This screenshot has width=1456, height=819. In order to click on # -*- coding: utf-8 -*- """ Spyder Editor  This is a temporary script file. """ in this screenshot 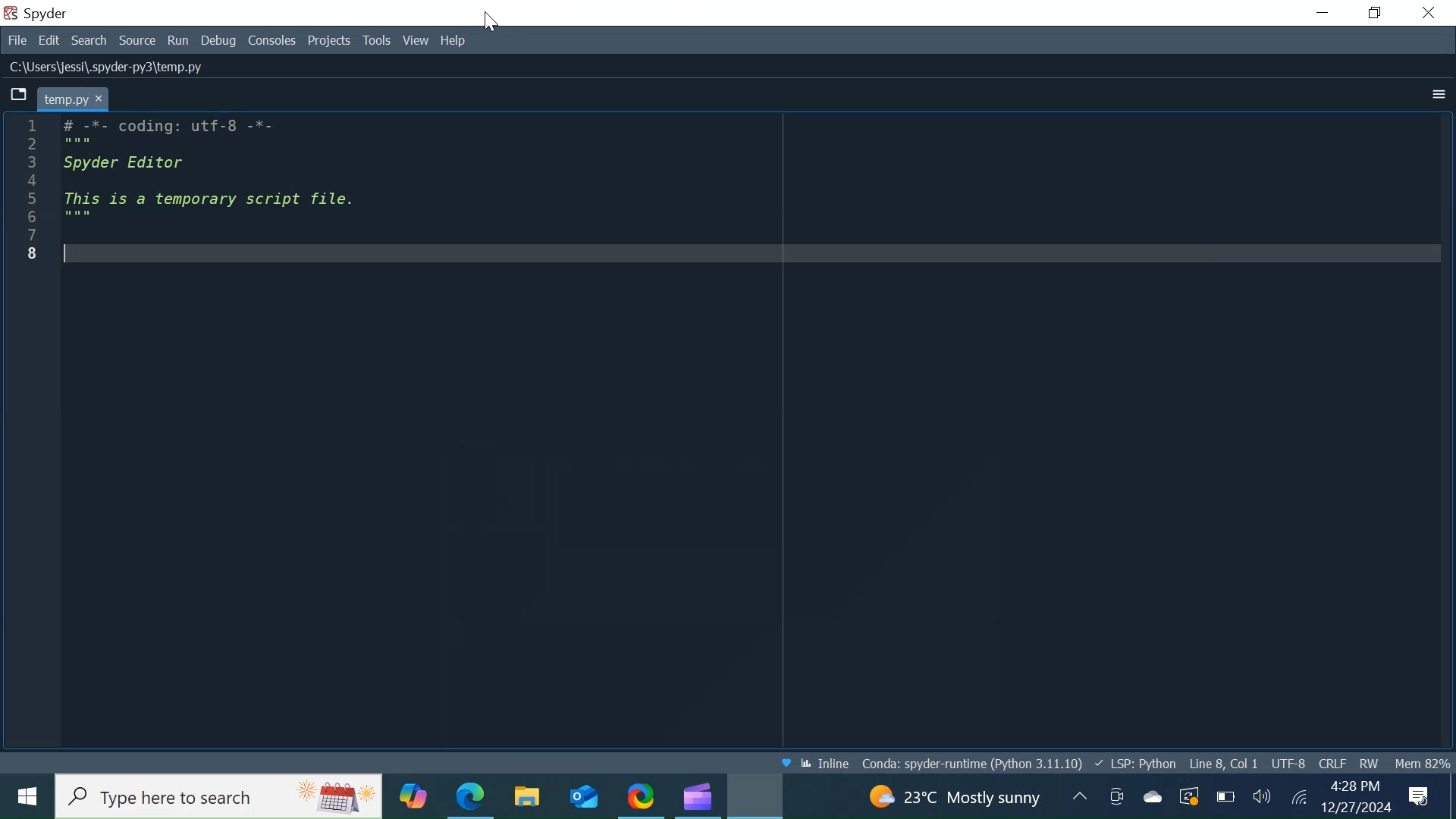, I will do `click(754, 428)`.